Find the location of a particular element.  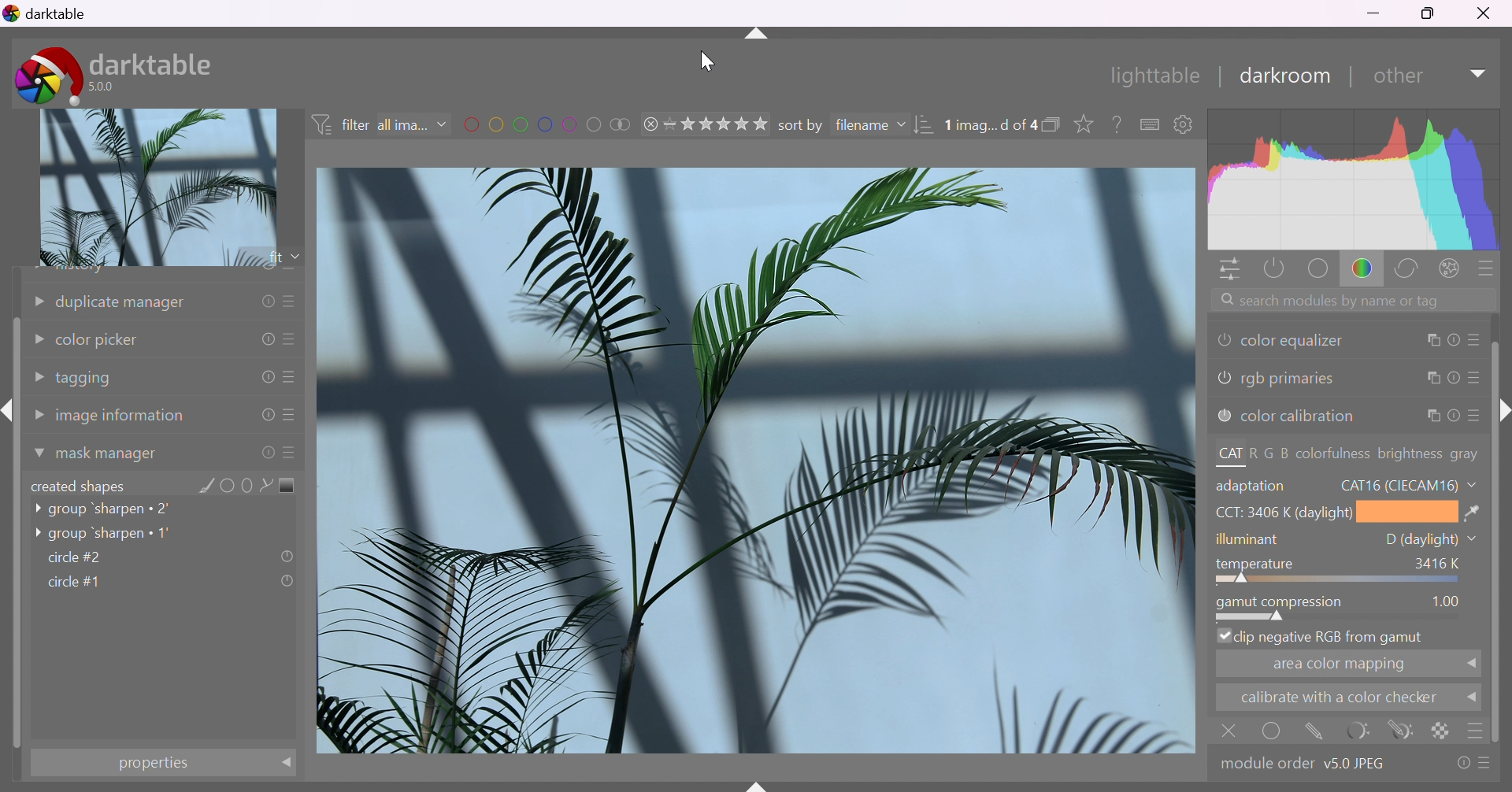

mask manager is located at coordinates (164, 456).